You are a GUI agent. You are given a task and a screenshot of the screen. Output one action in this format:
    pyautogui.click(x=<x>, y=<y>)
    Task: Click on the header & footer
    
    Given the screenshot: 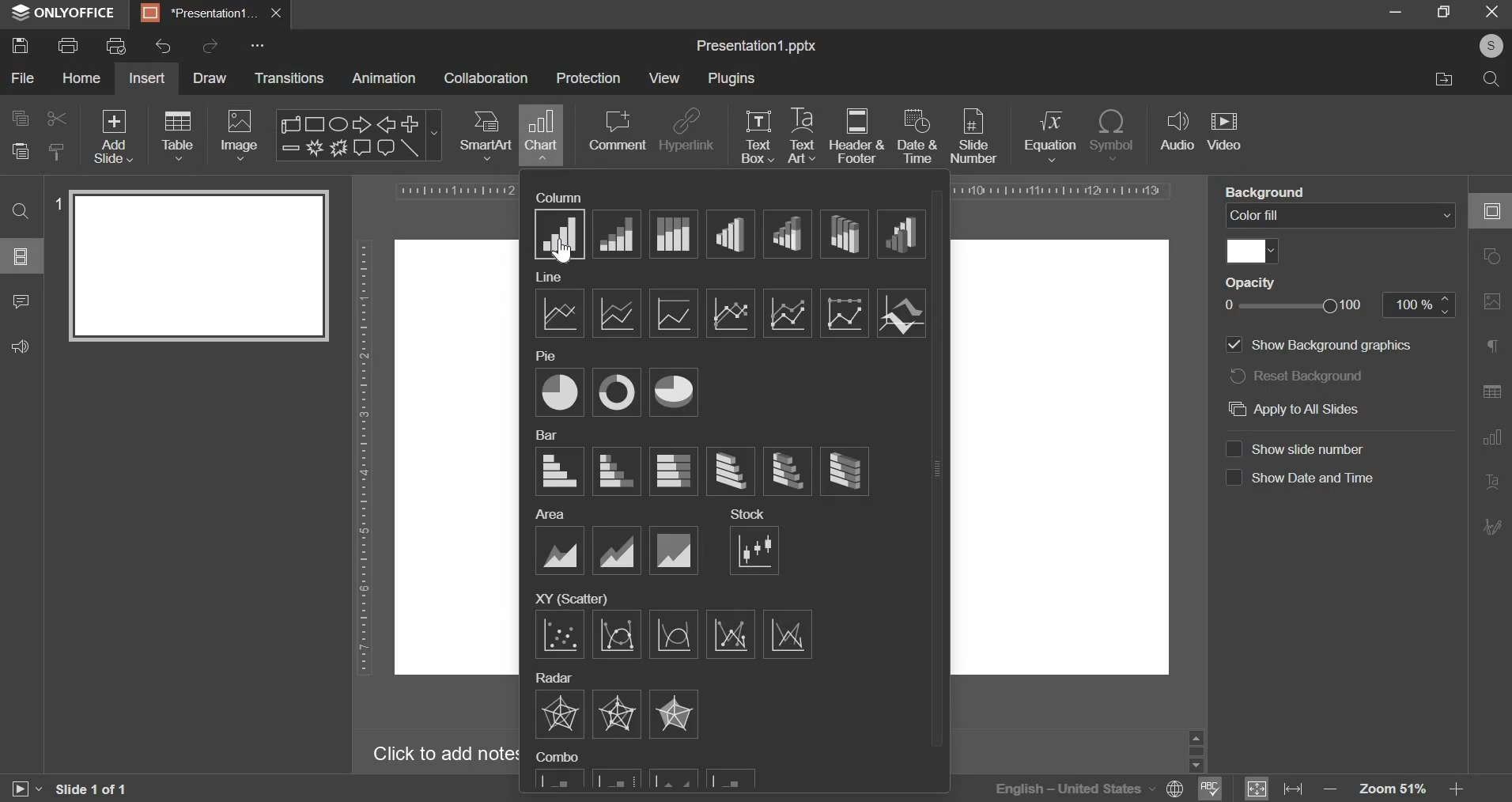 What is the action you would take?
    pyautogui.click(x=856, y=136)
    